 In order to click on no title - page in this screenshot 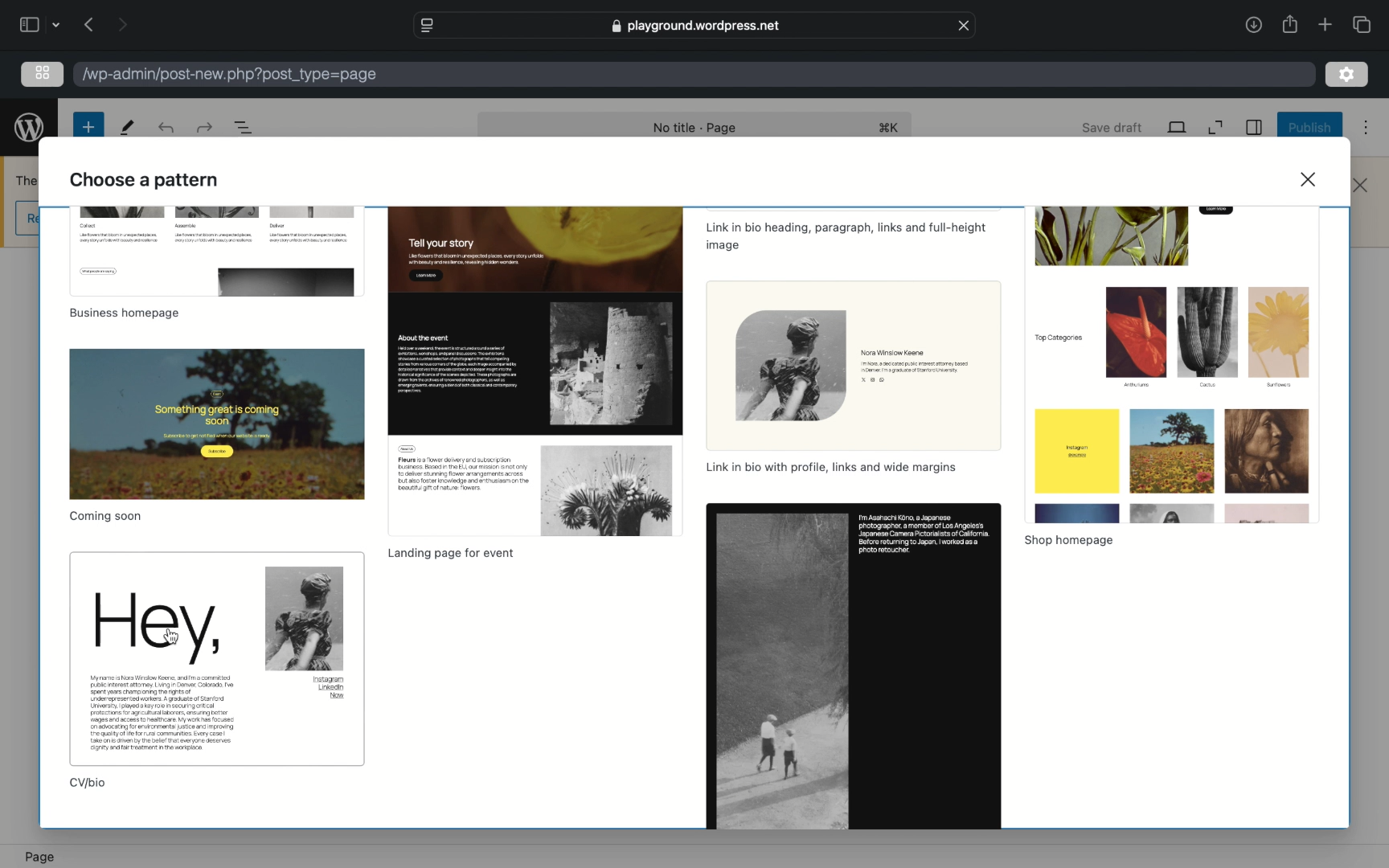, I will do `click(695, 129)`.